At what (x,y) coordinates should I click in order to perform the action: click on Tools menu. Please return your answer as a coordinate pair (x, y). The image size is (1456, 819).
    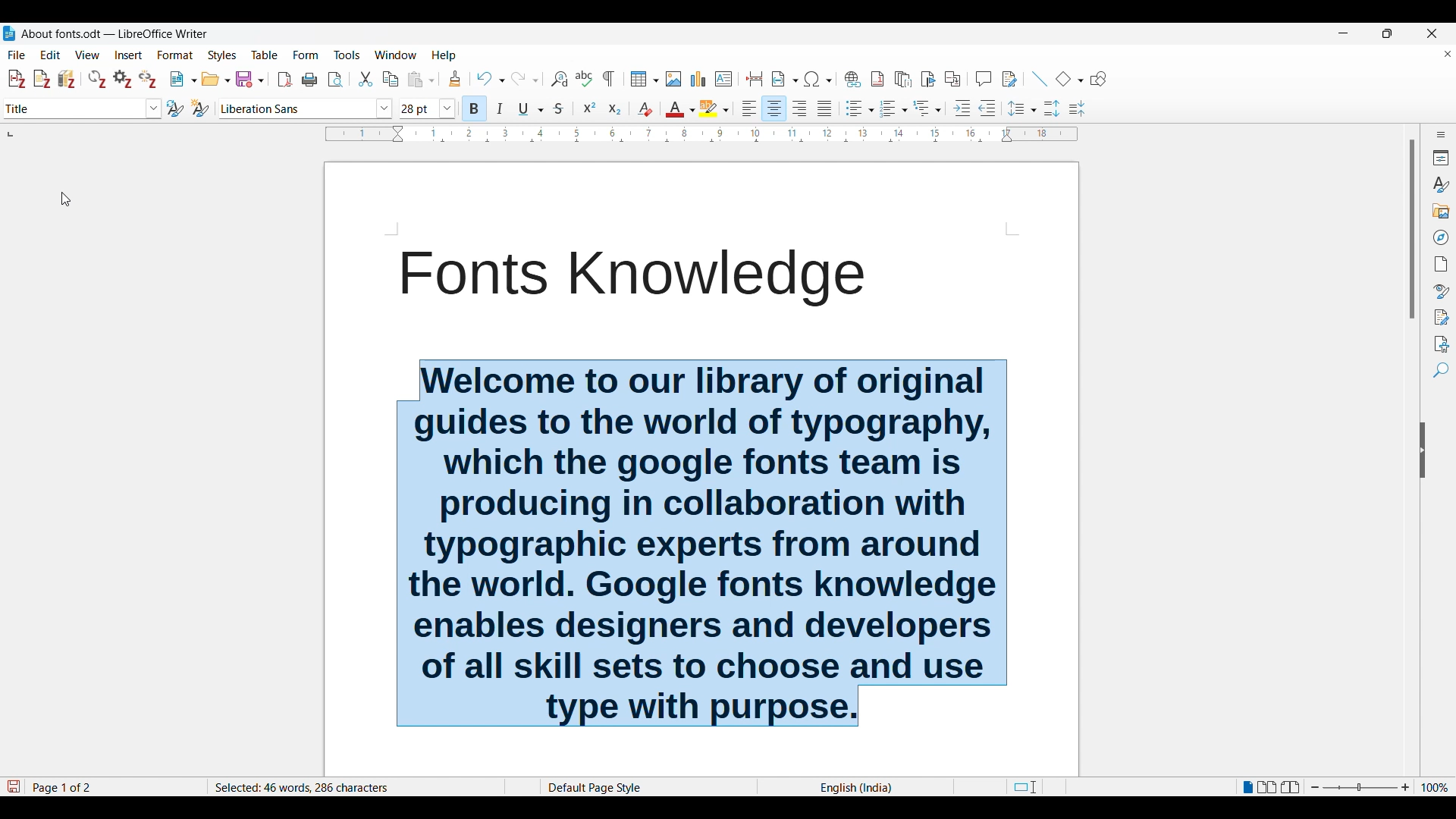
    Looking at the image, I should click on (347, 55).